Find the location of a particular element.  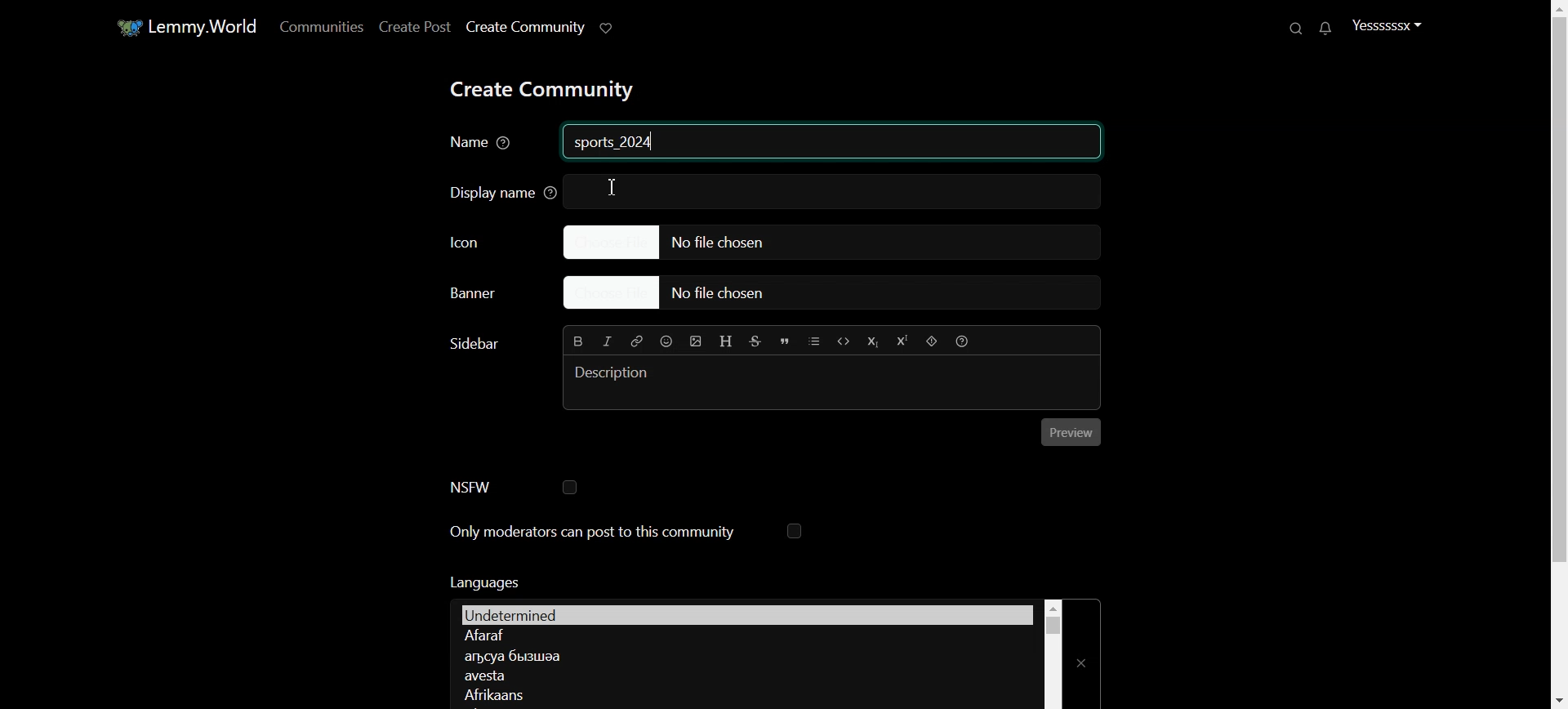

Quote is located at coordinates (785, 341).